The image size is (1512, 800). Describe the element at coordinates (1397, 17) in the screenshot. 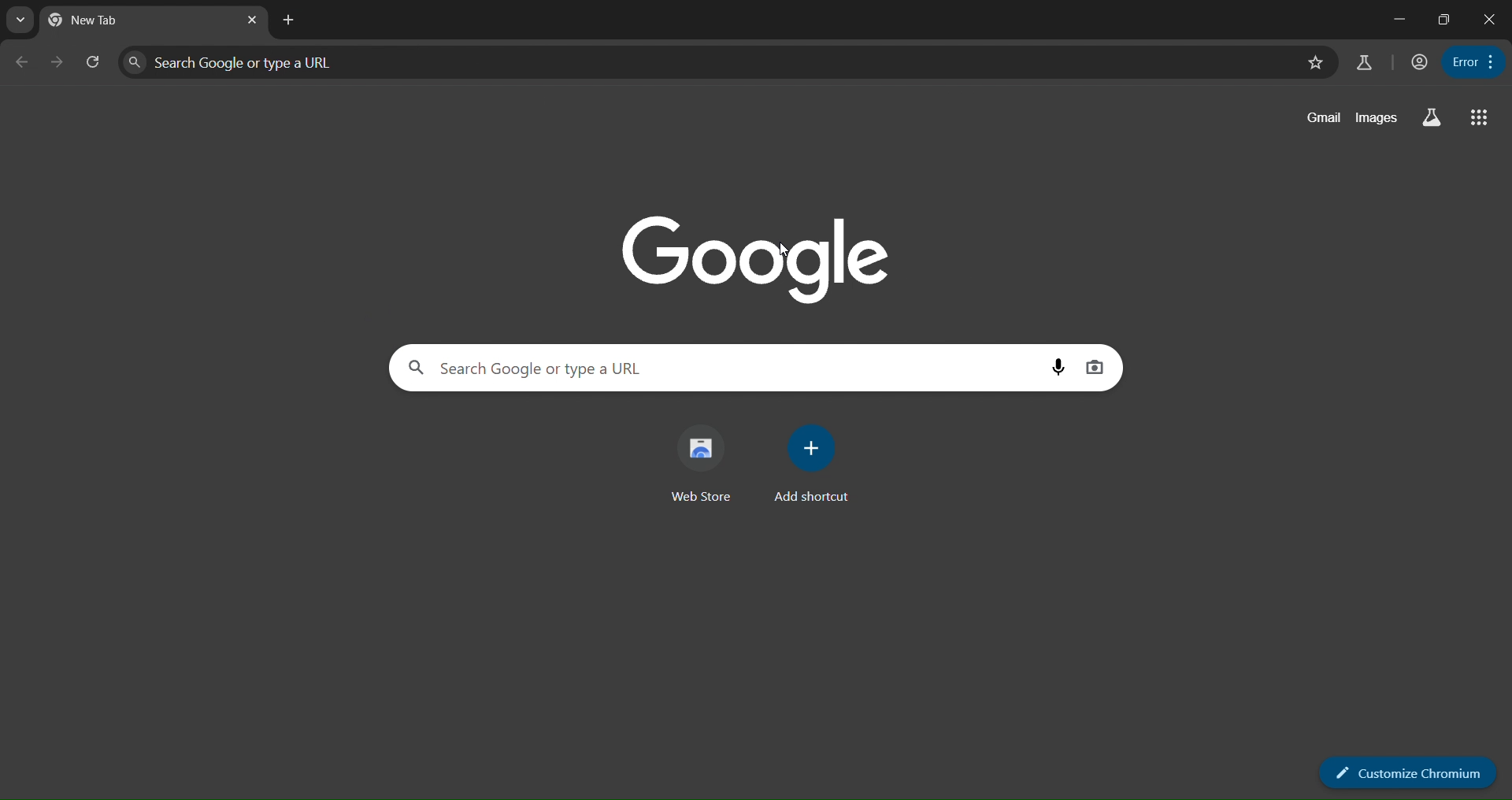

I see `minimize` at that location.